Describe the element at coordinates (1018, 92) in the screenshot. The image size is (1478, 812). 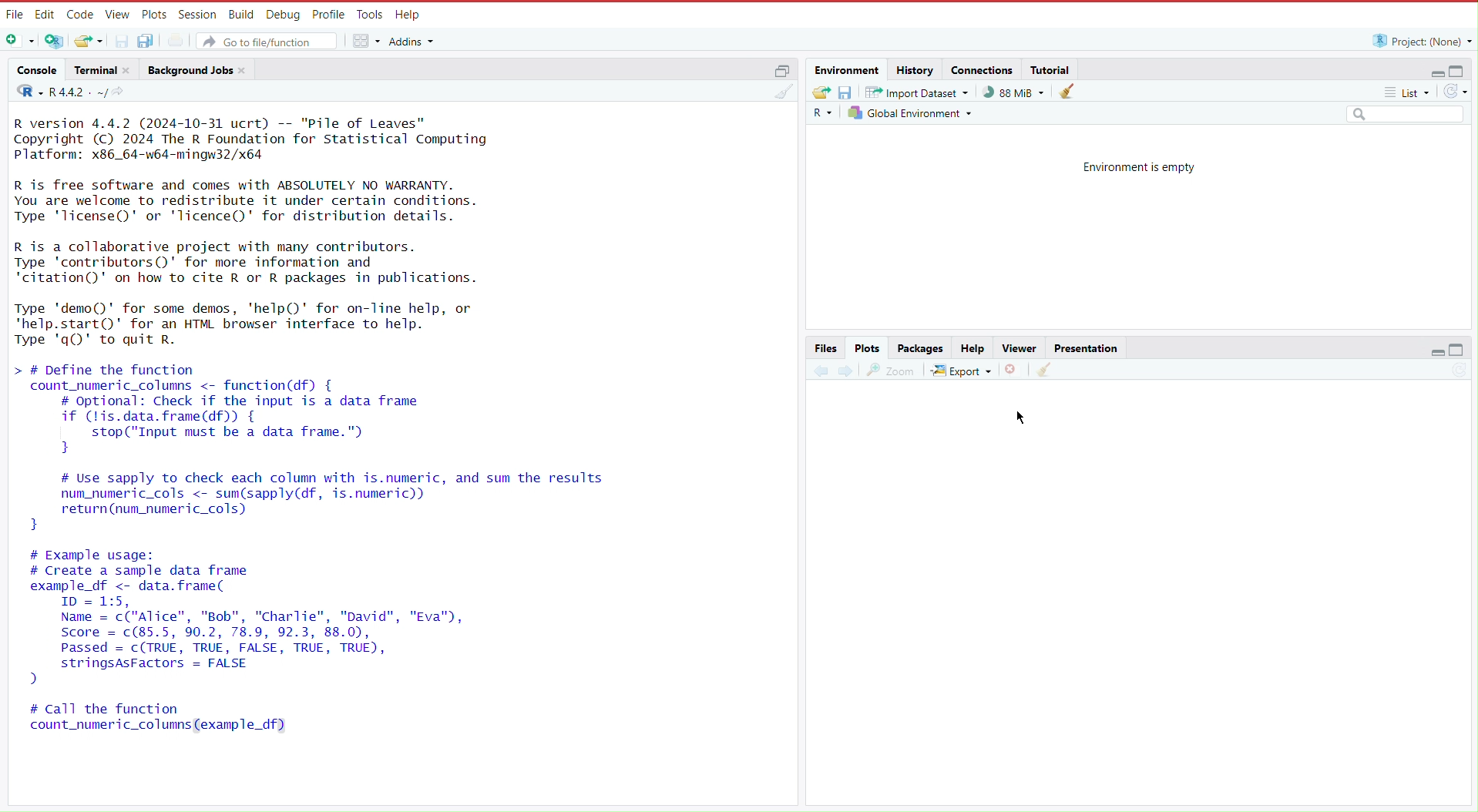
I see `88kib used by R session (Source: Windows System)` at that location.